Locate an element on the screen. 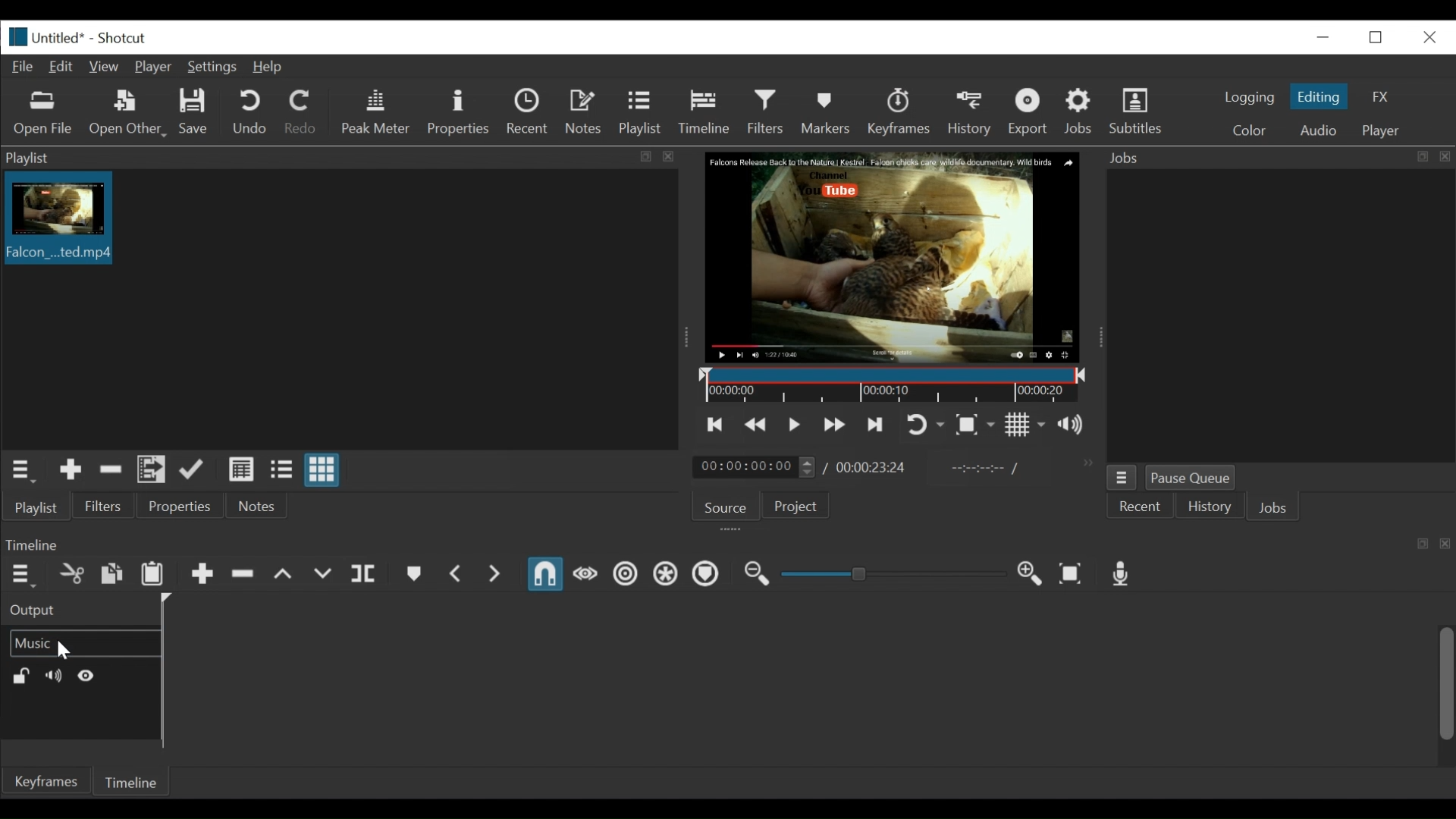 This screenshot has width=1456, height=819. Player is located at coordinates (1381, 130).